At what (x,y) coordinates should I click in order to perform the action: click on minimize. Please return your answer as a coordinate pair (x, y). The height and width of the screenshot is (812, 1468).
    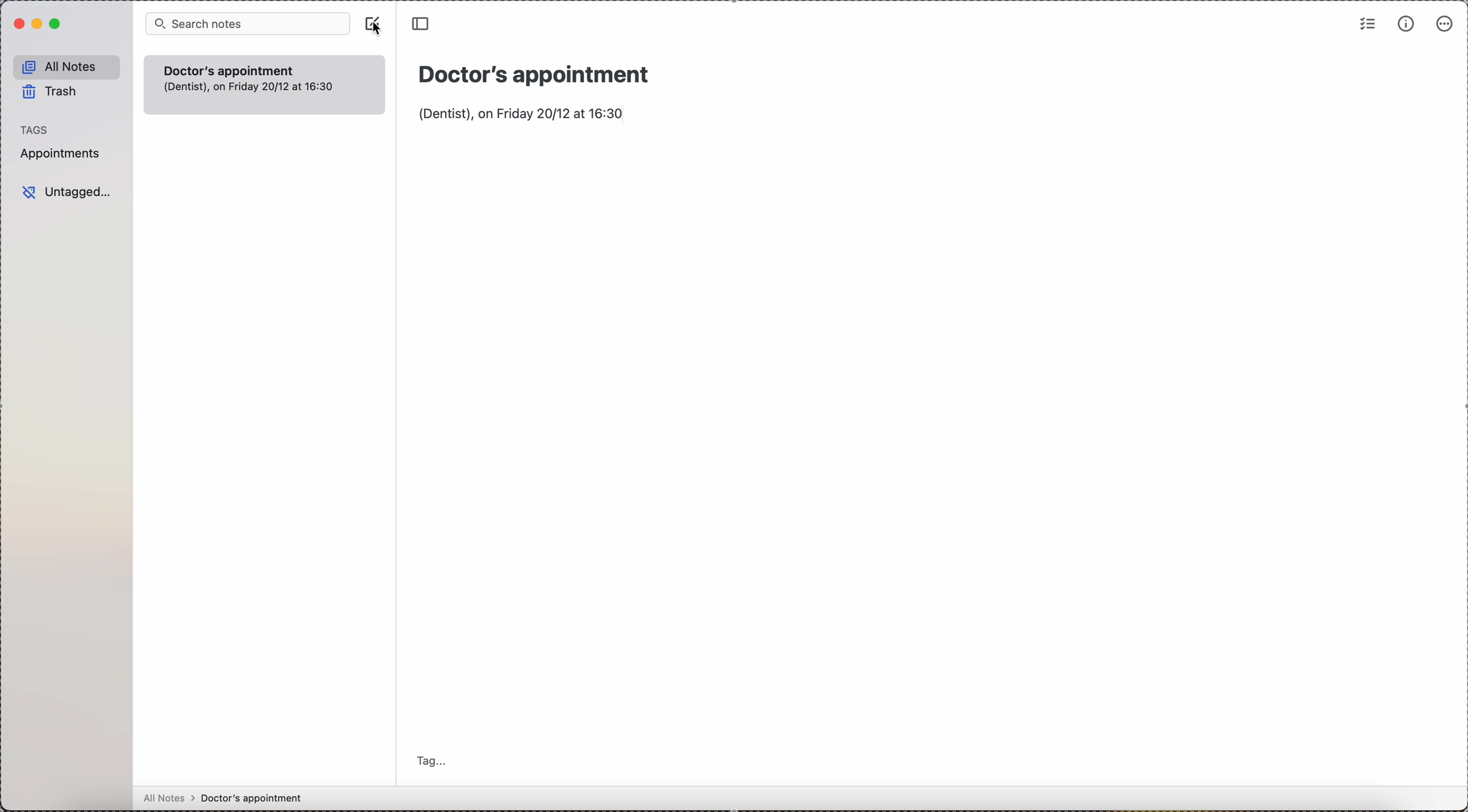
    Looking at the image, I should click on (38, 25).